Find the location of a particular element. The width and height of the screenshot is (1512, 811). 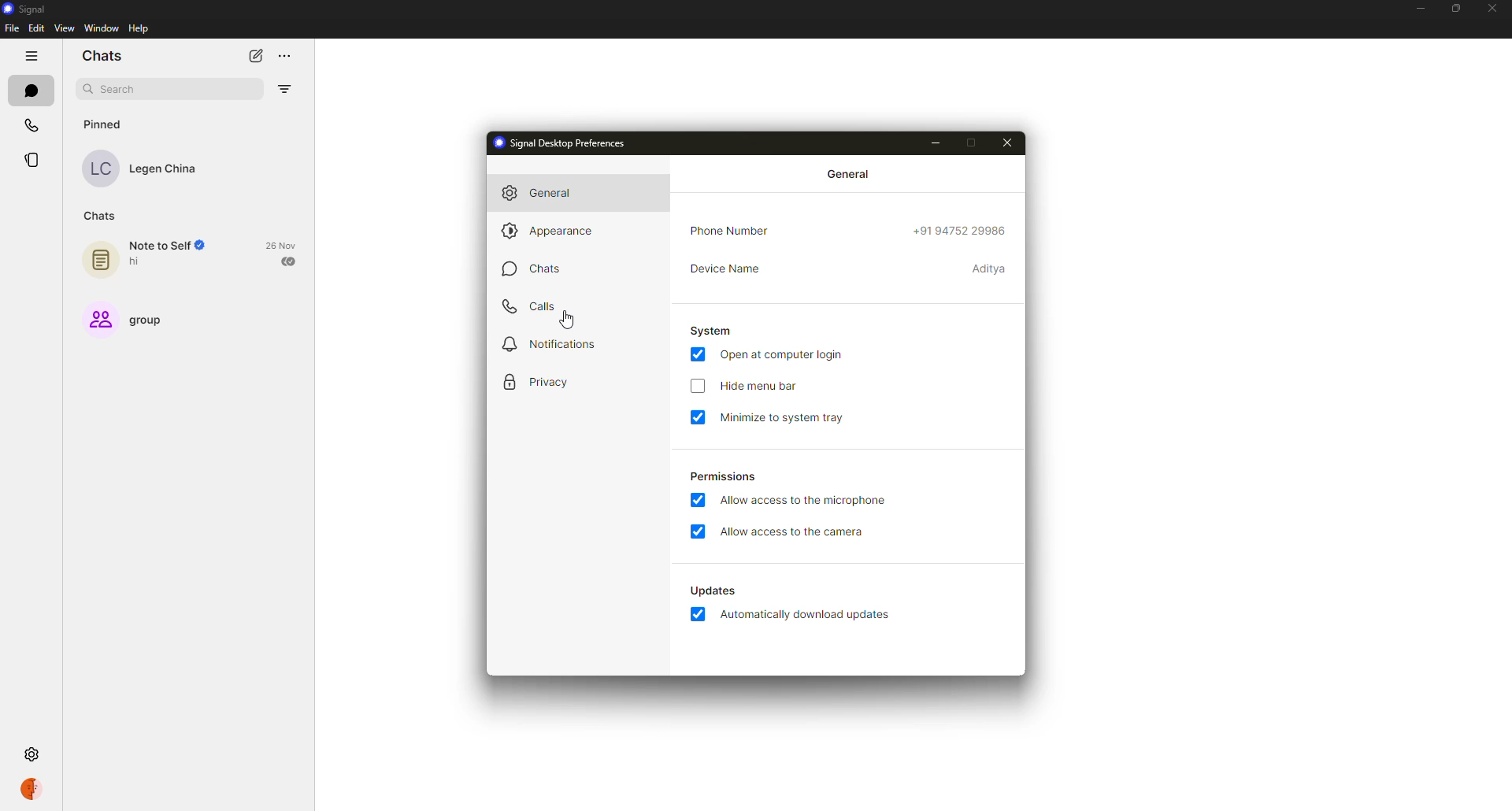

appearance is located at coordinates (554, 231).